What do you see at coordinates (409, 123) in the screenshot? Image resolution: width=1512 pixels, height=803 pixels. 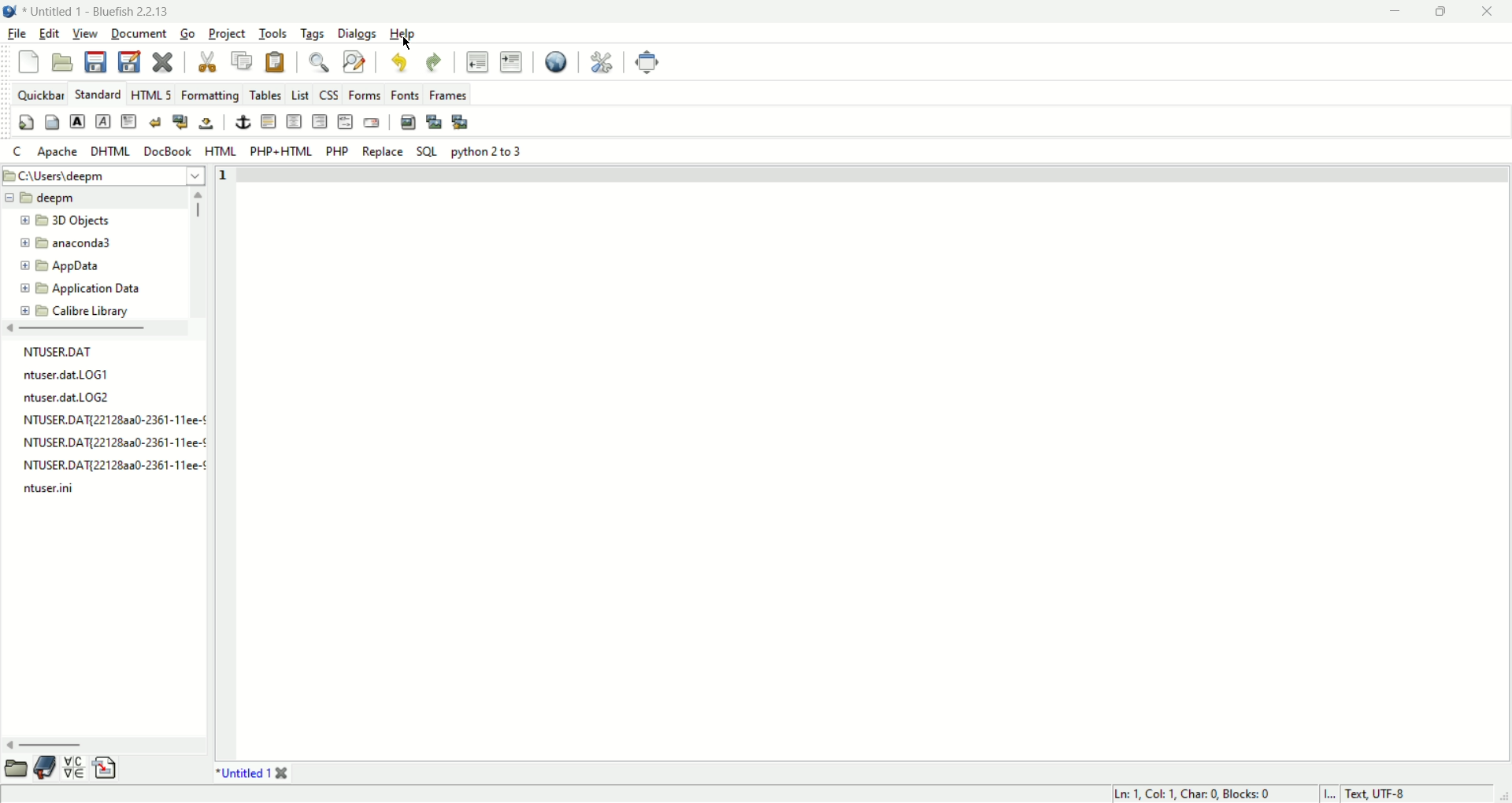 I see `insert image` at bounding box center [409, 123].